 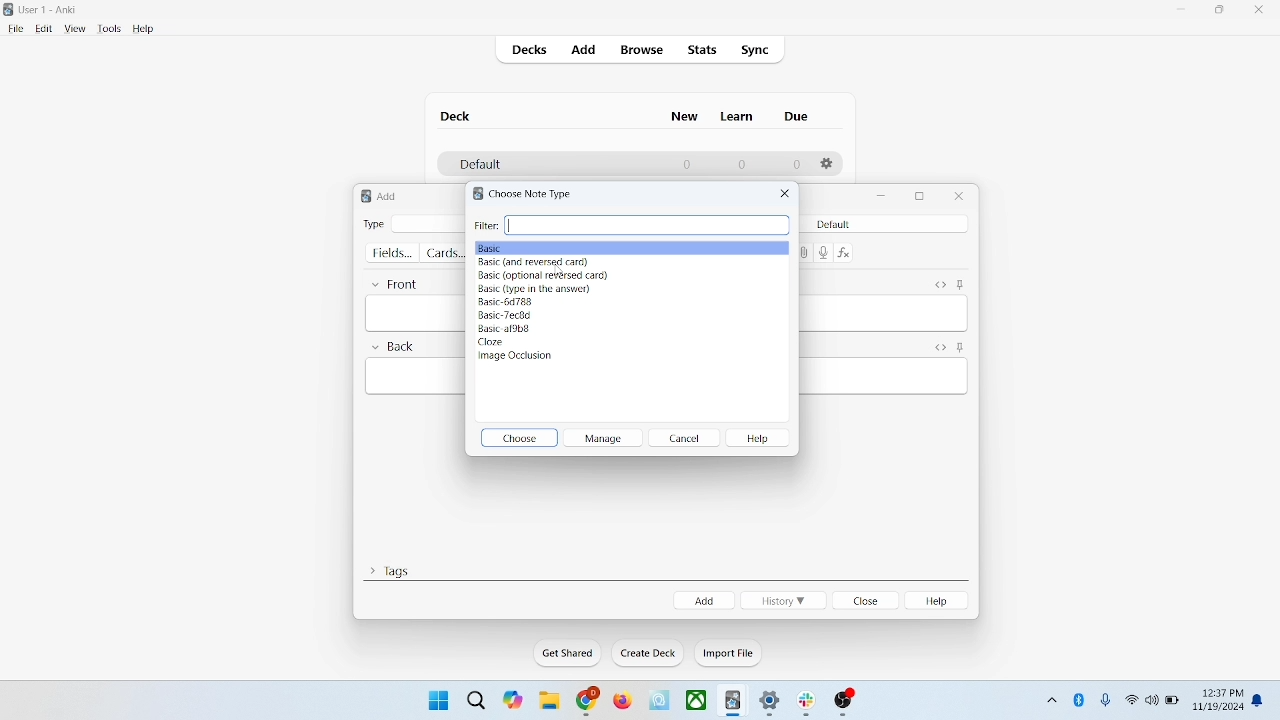 What do you see at coordinates (1152, 699) in the screenshot?
I see `speaker` at bounding box center [1152, 699].